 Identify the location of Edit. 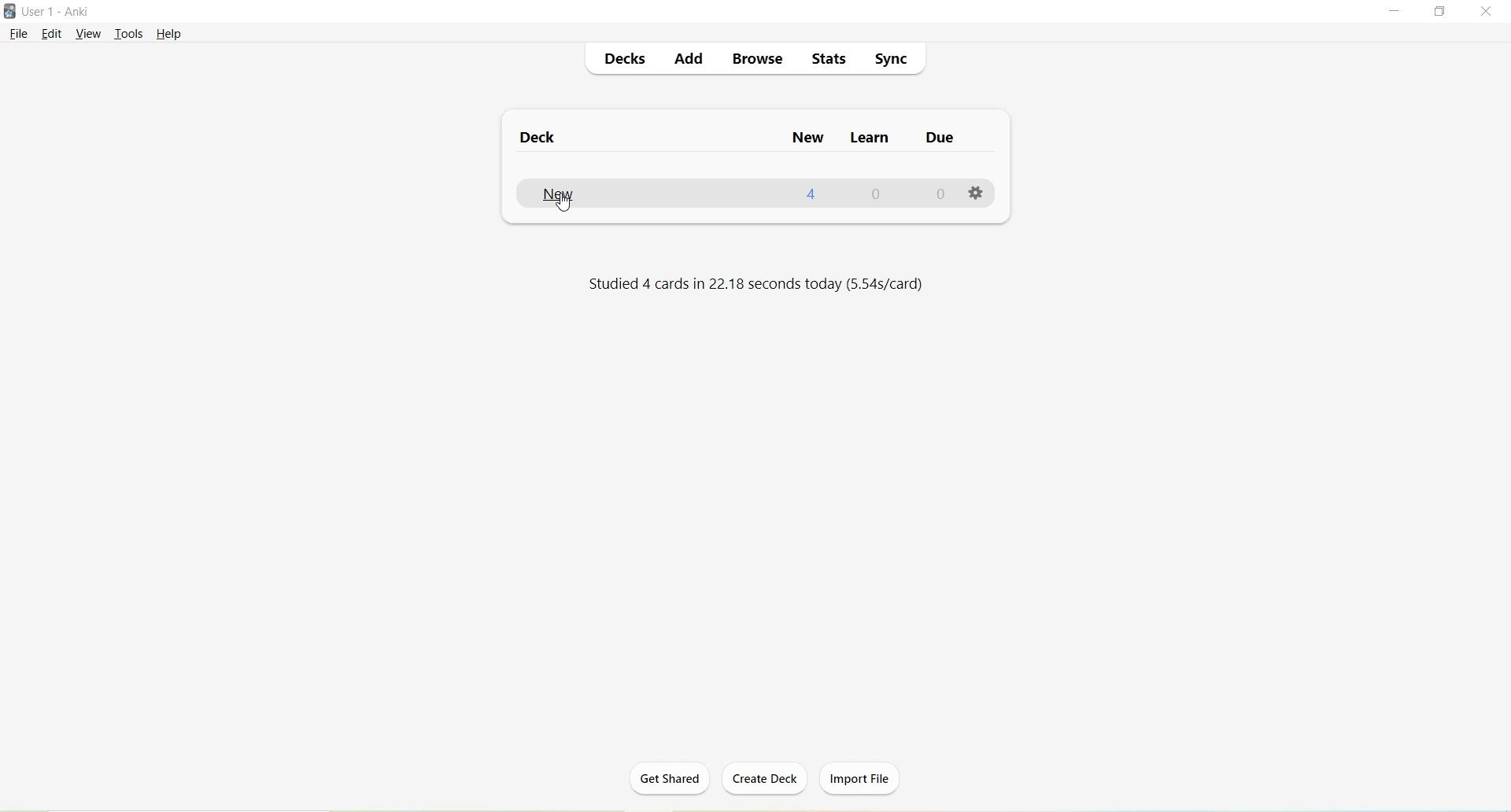
(54, 34).